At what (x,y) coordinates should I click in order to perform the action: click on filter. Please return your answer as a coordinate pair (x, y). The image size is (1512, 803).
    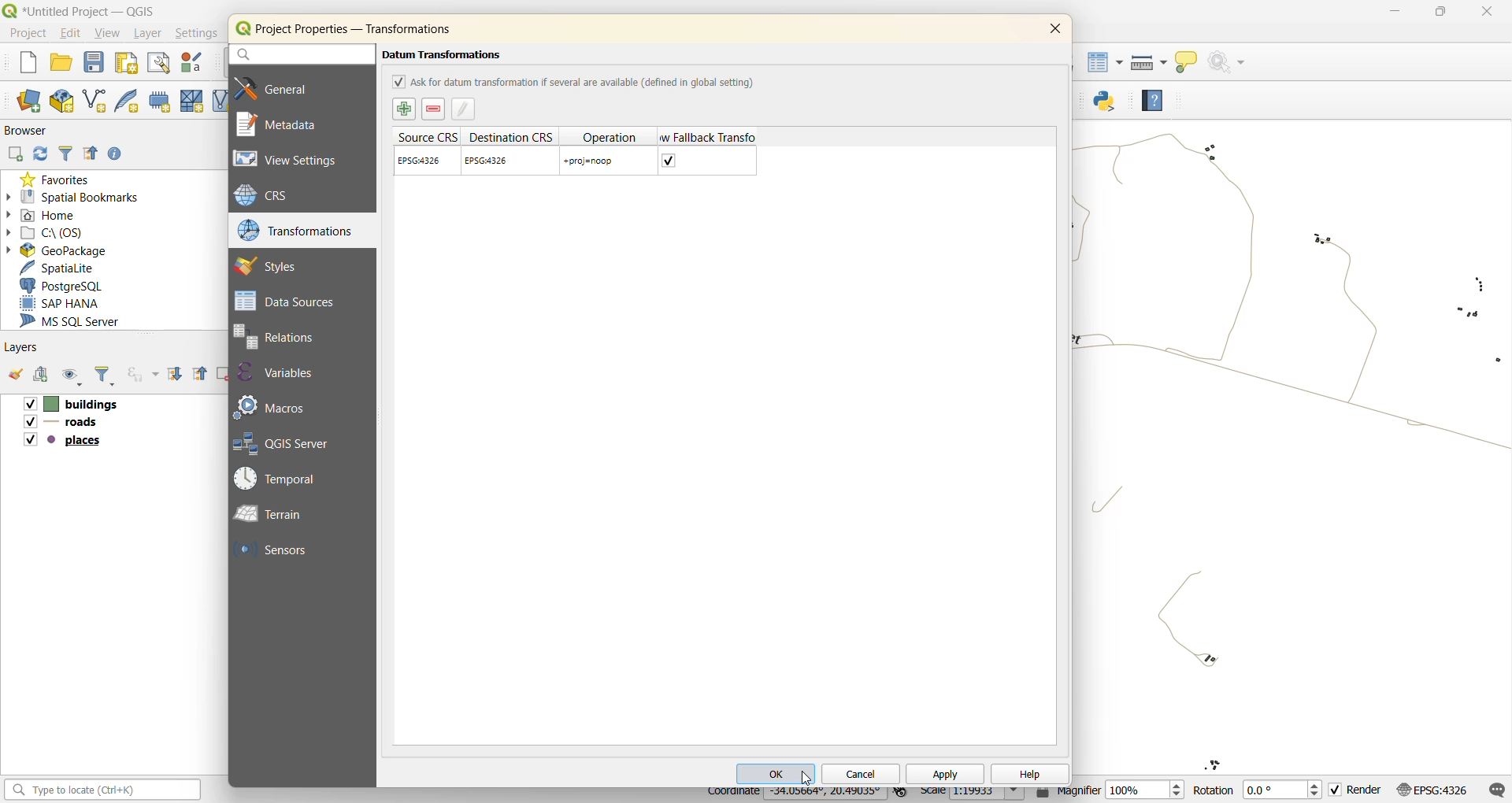
    Looking at the image, I should click on (106, 376).